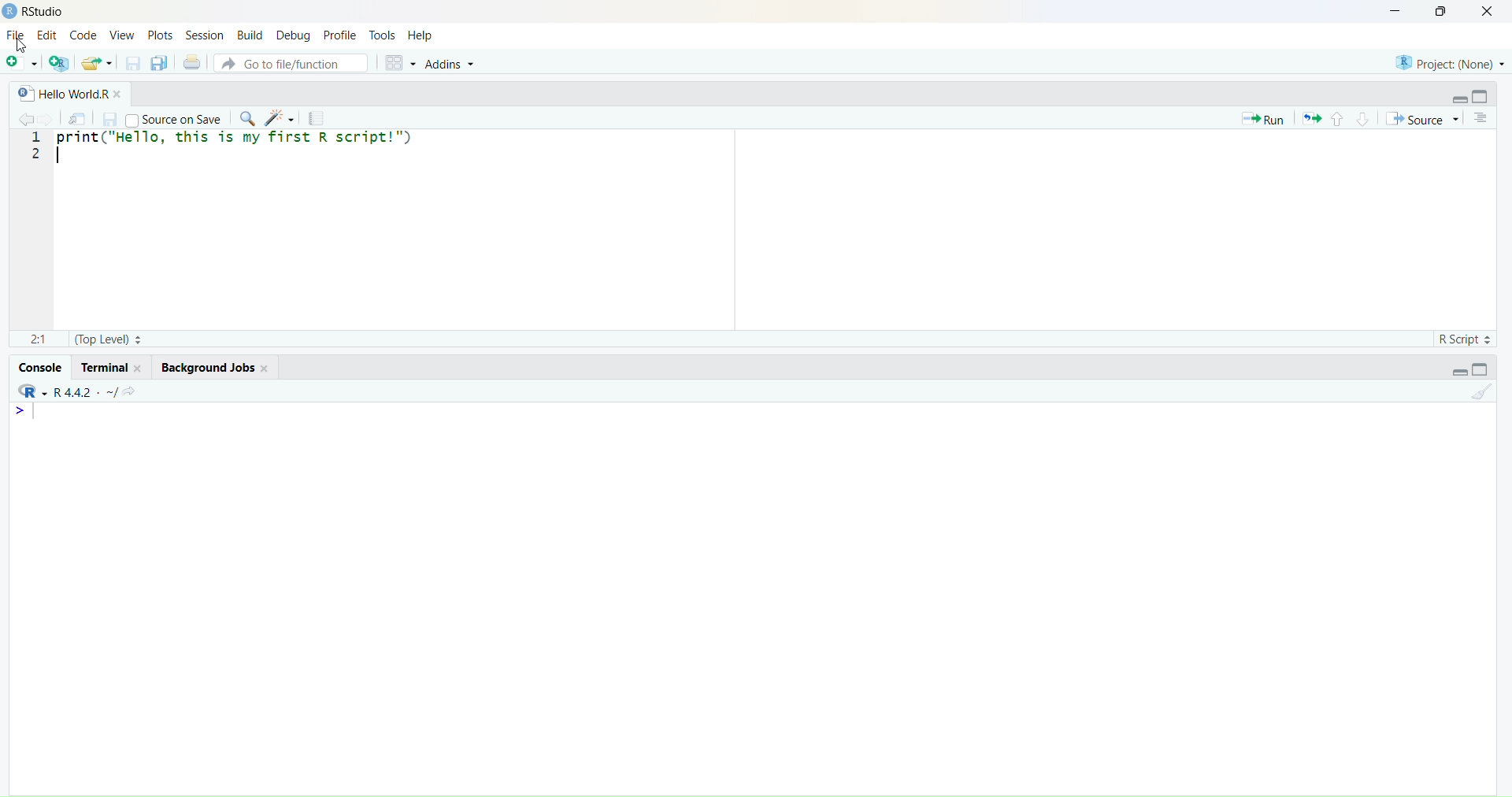 Image resolution: width=1512 pixels, height=797 pixels. I want to click on Go to previous section/chunk (Ctrl + PgUp), so click(1336, 117).